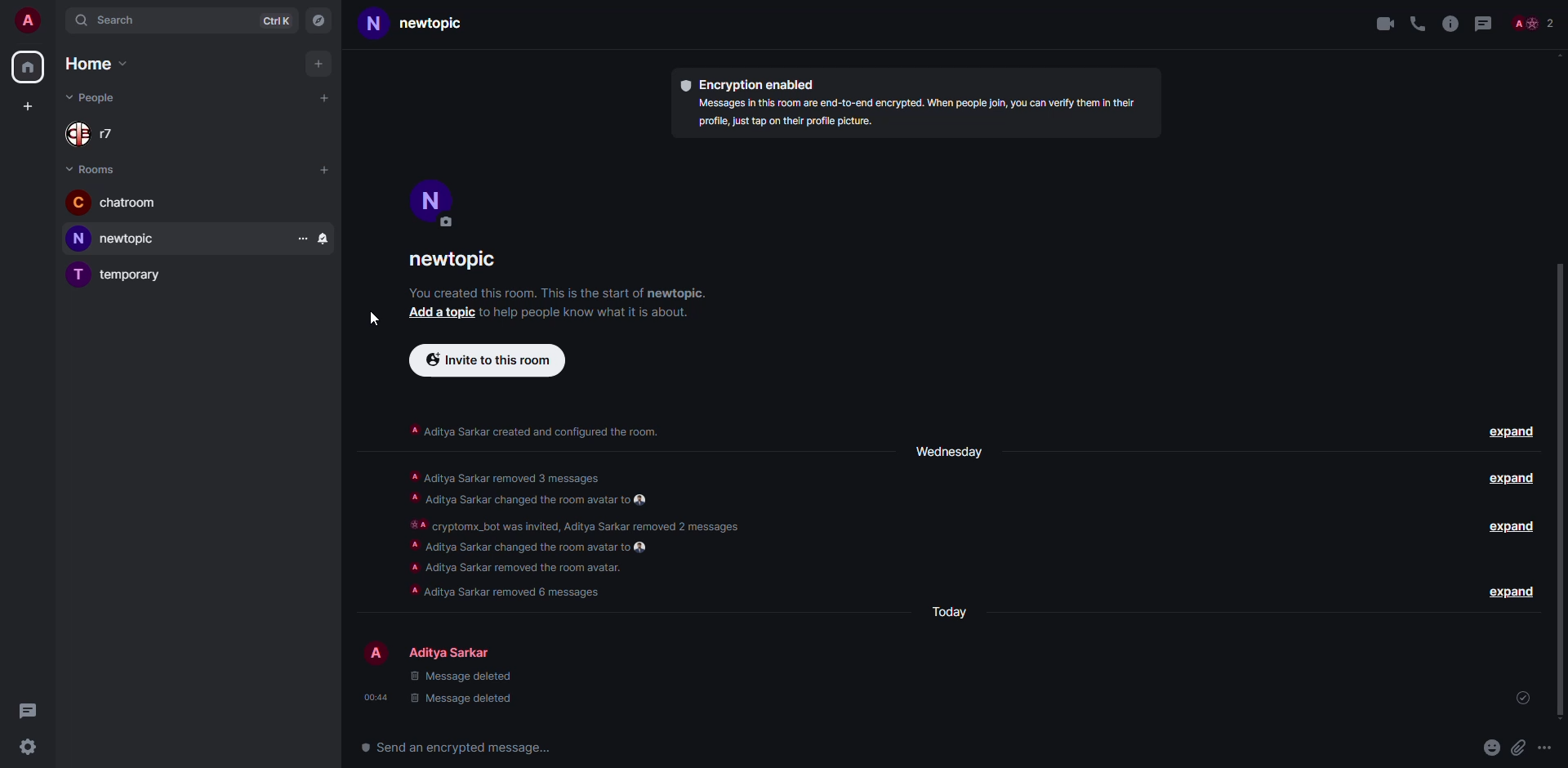  What do you see at coordinates (434, 199) in the screenshot?
I see `profile` at bounding box center [434, 199].